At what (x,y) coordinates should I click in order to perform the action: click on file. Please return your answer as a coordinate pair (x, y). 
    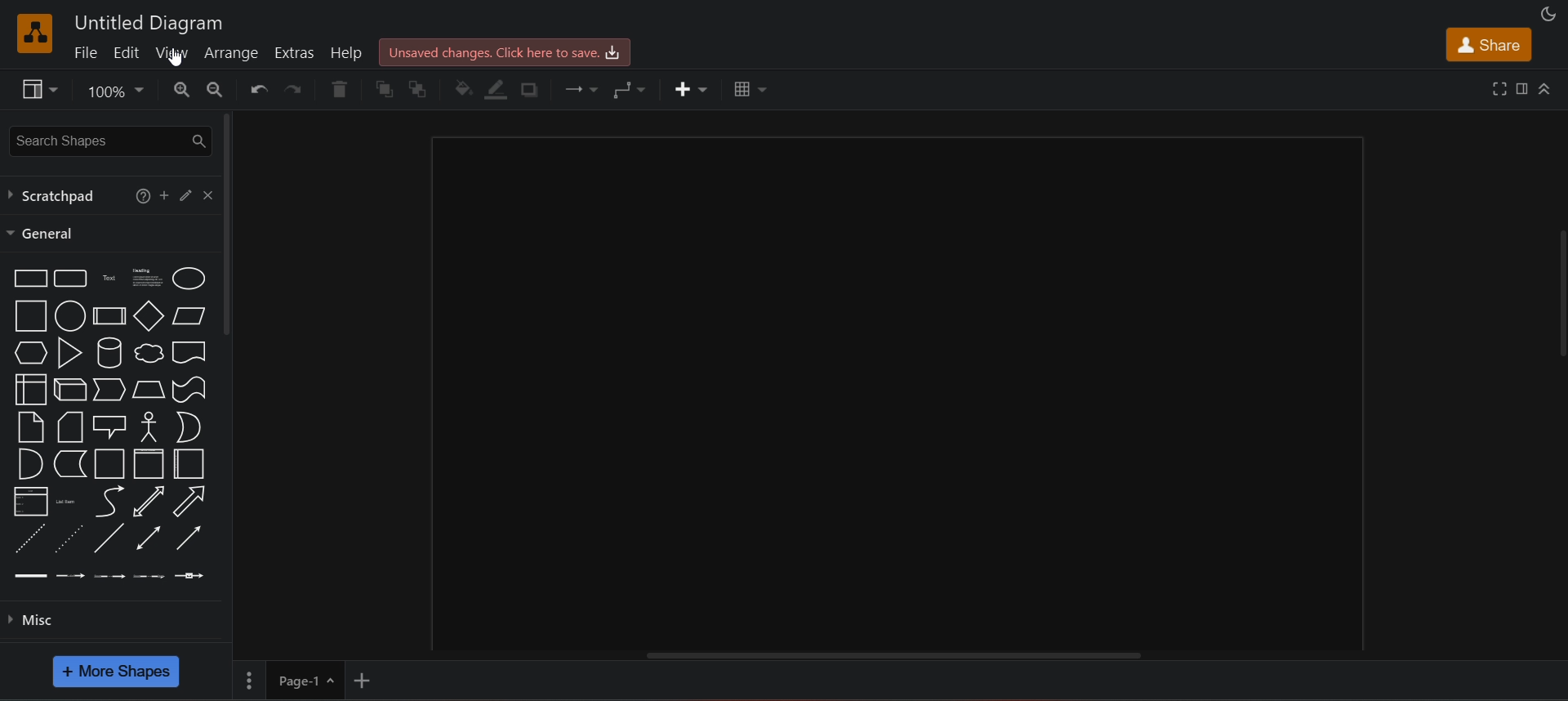
    Looking at the image, I should click on (85, 52).